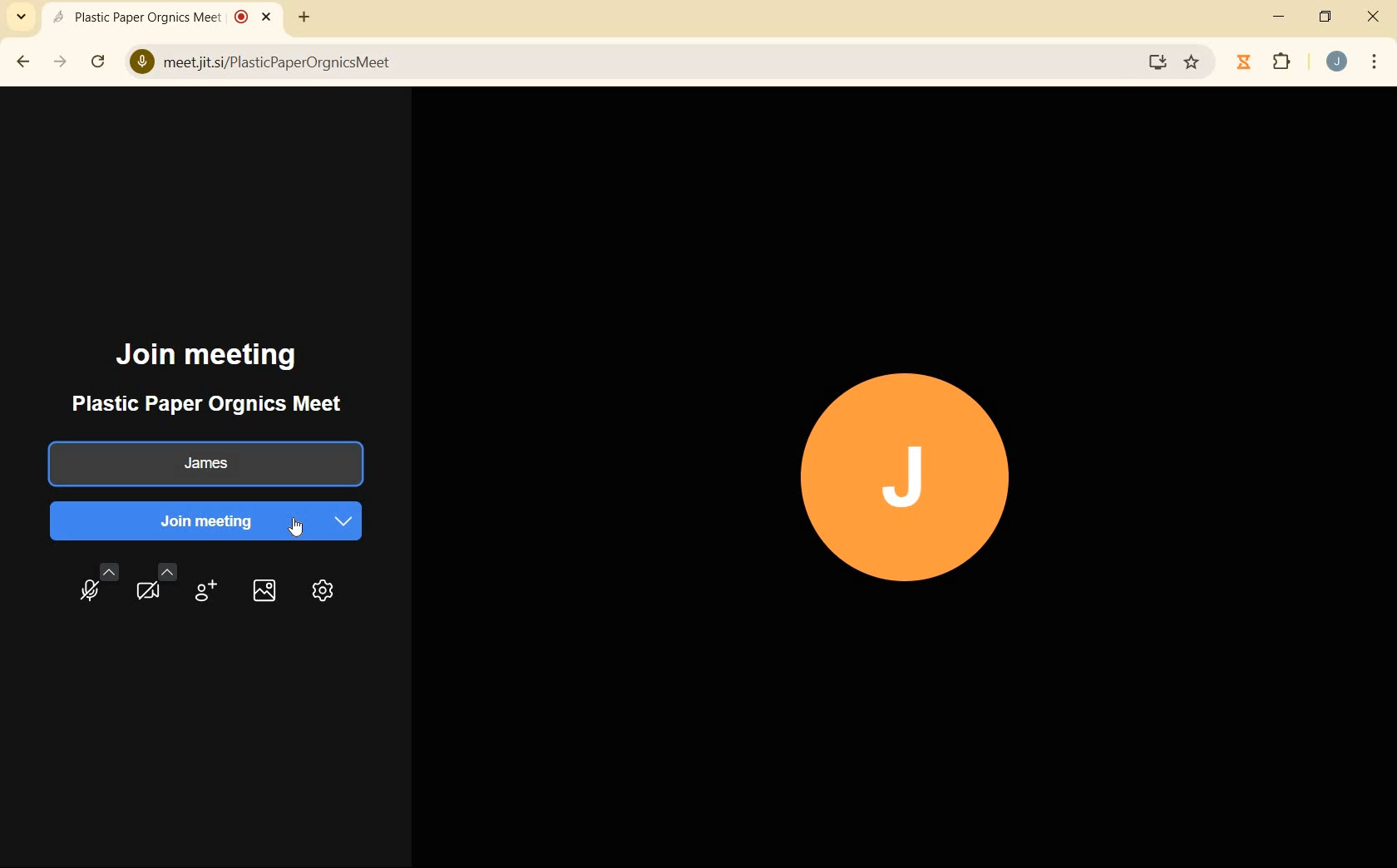 This screenshot has height=868, width=1397. I want to click on minimize, so click(1281, 17).